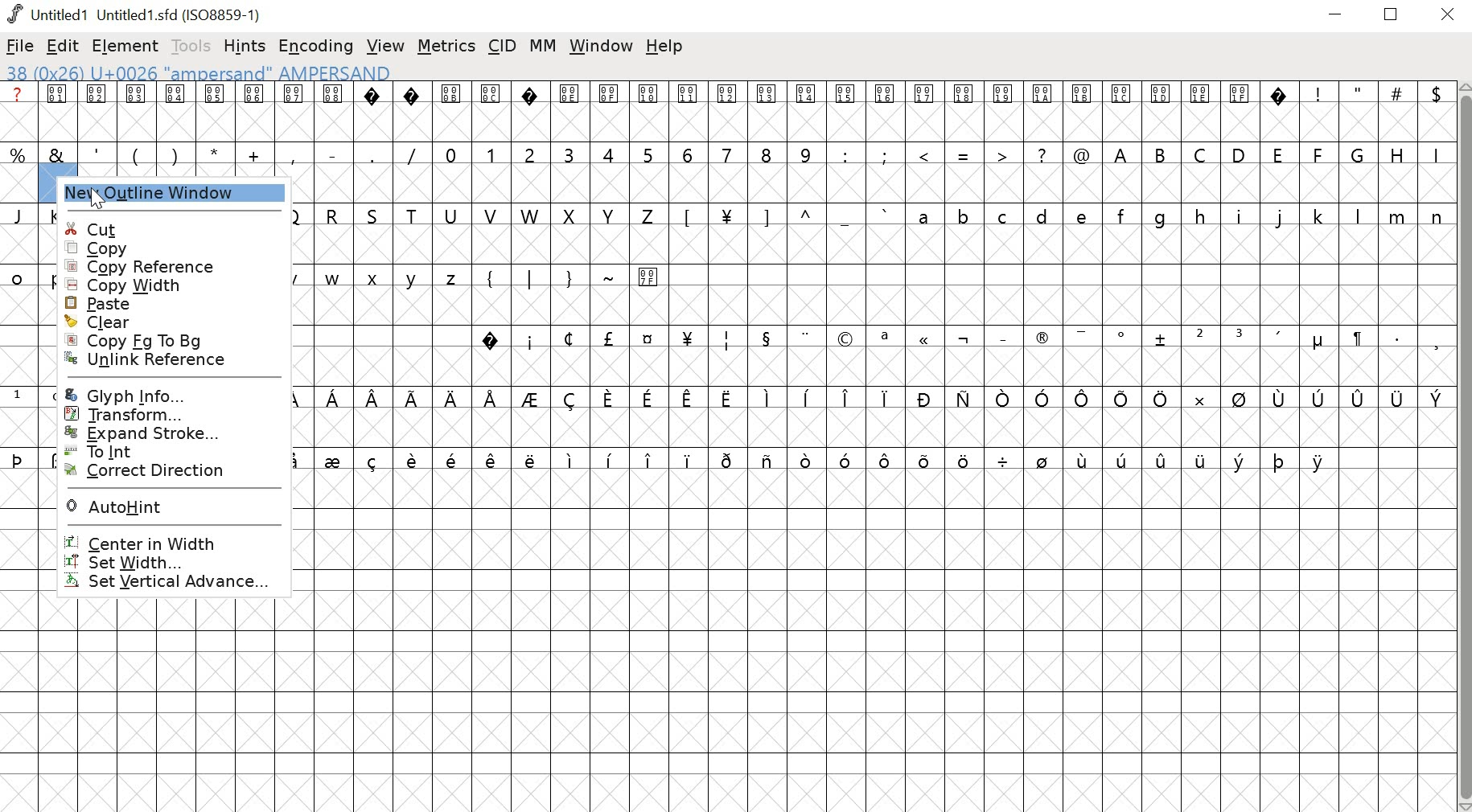 The height and width of the screenshot is (812, 1472). What do you see at coordinates (256, 154) in the screenshot?
I see `+` at bounding box center [256, 154].